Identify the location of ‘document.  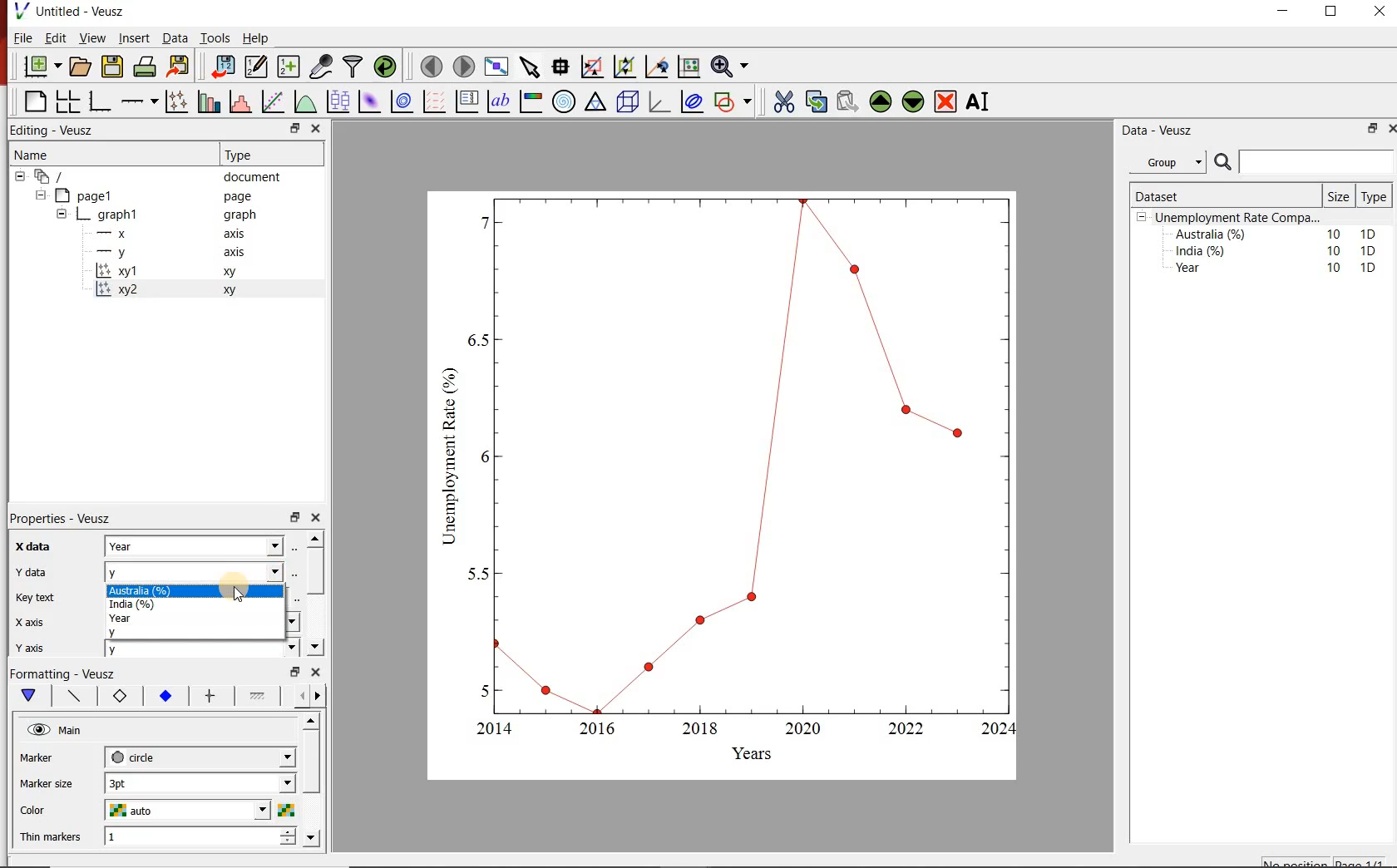
(155, 175).